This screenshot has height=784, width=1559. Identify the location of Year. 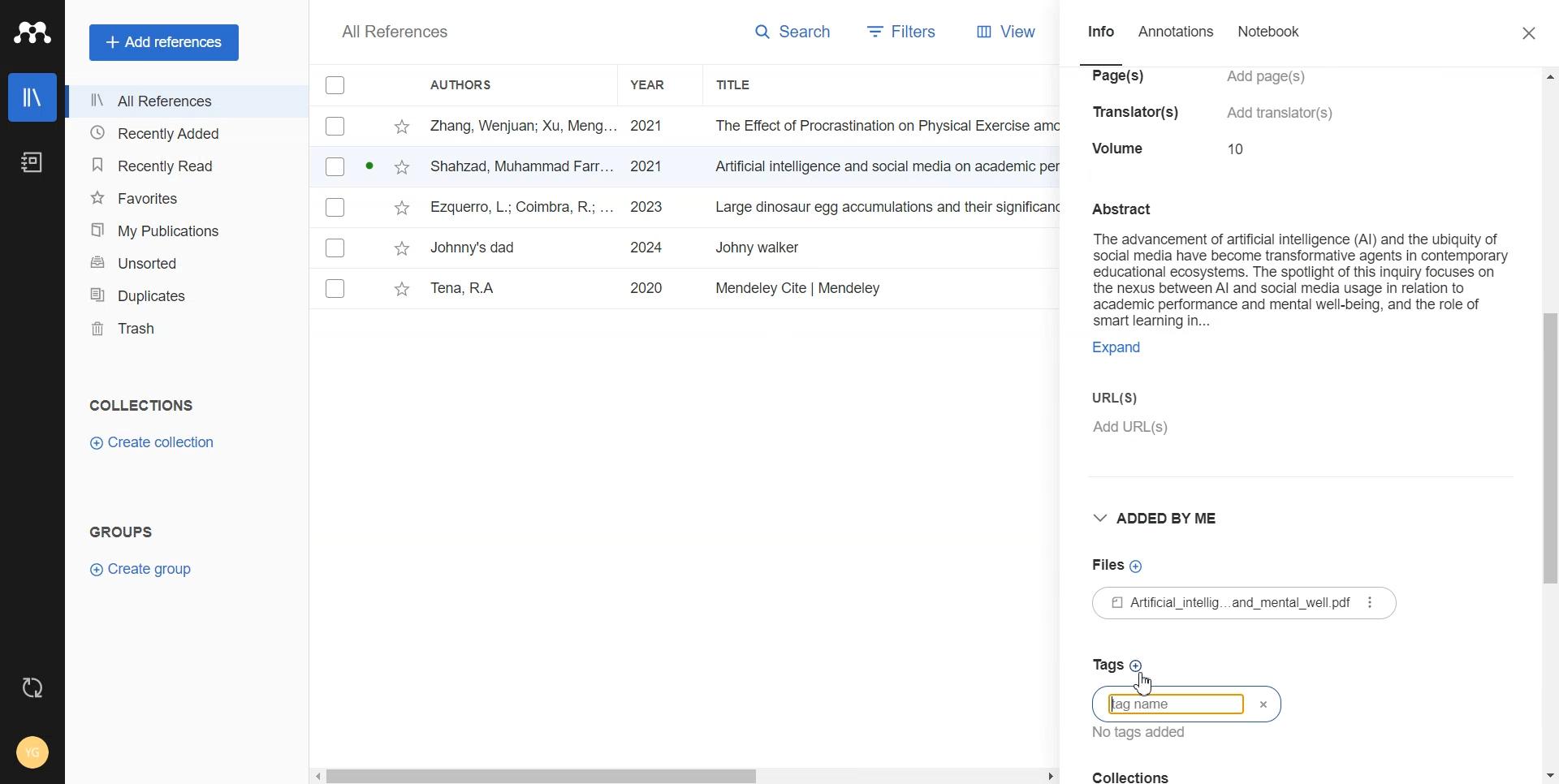
(661, 85).